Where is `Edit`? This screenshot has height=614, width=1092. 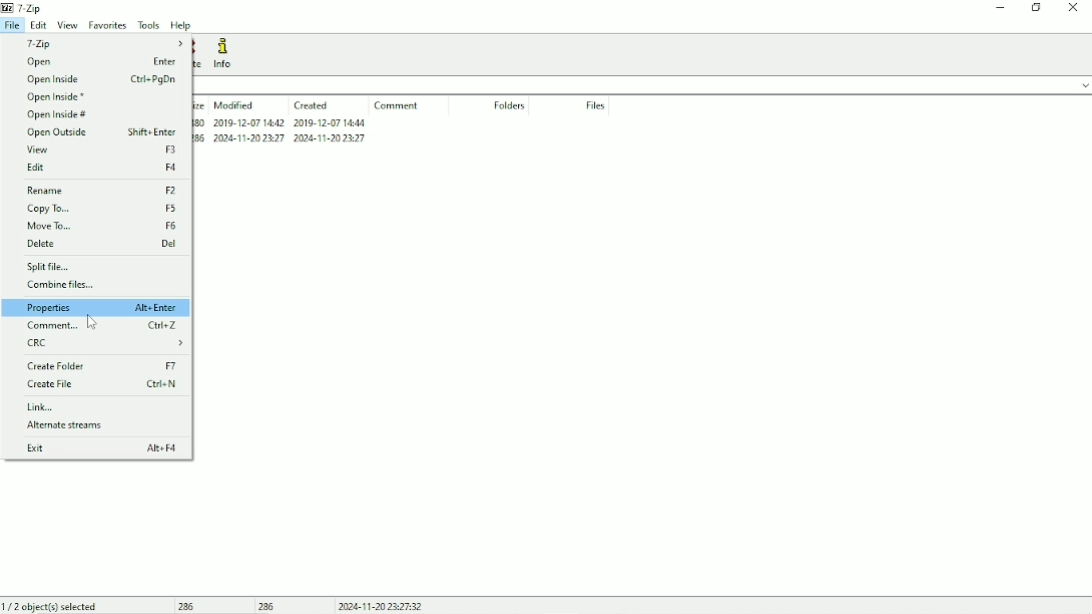 Edit is located at coordinates (39, 26).